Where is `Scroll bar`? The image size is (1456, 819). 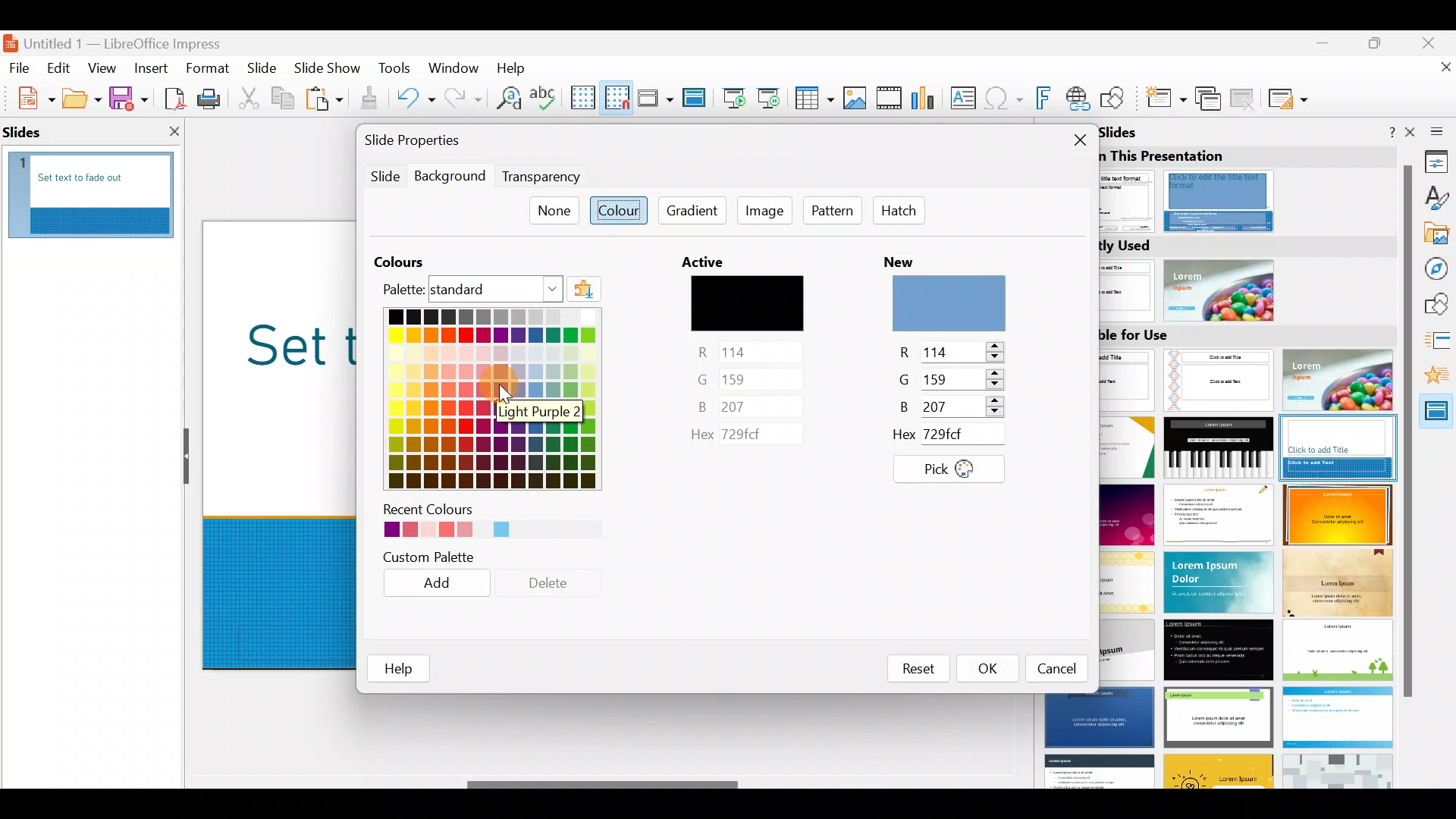
Scroll bar is located at coordinates (604, 785).